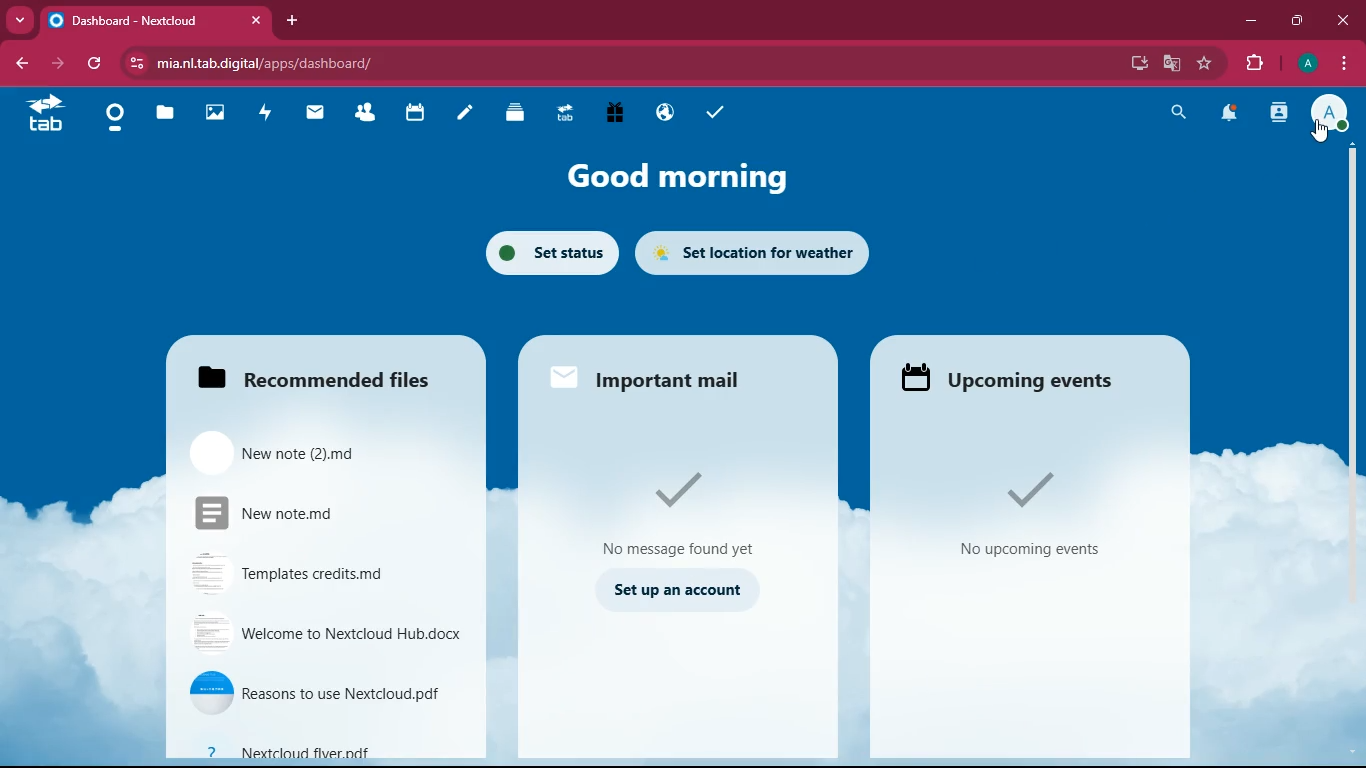  What do you see at coordinates (683, 592) in the screenshot?
I see `set up an account` at bounding box center [683, 592].